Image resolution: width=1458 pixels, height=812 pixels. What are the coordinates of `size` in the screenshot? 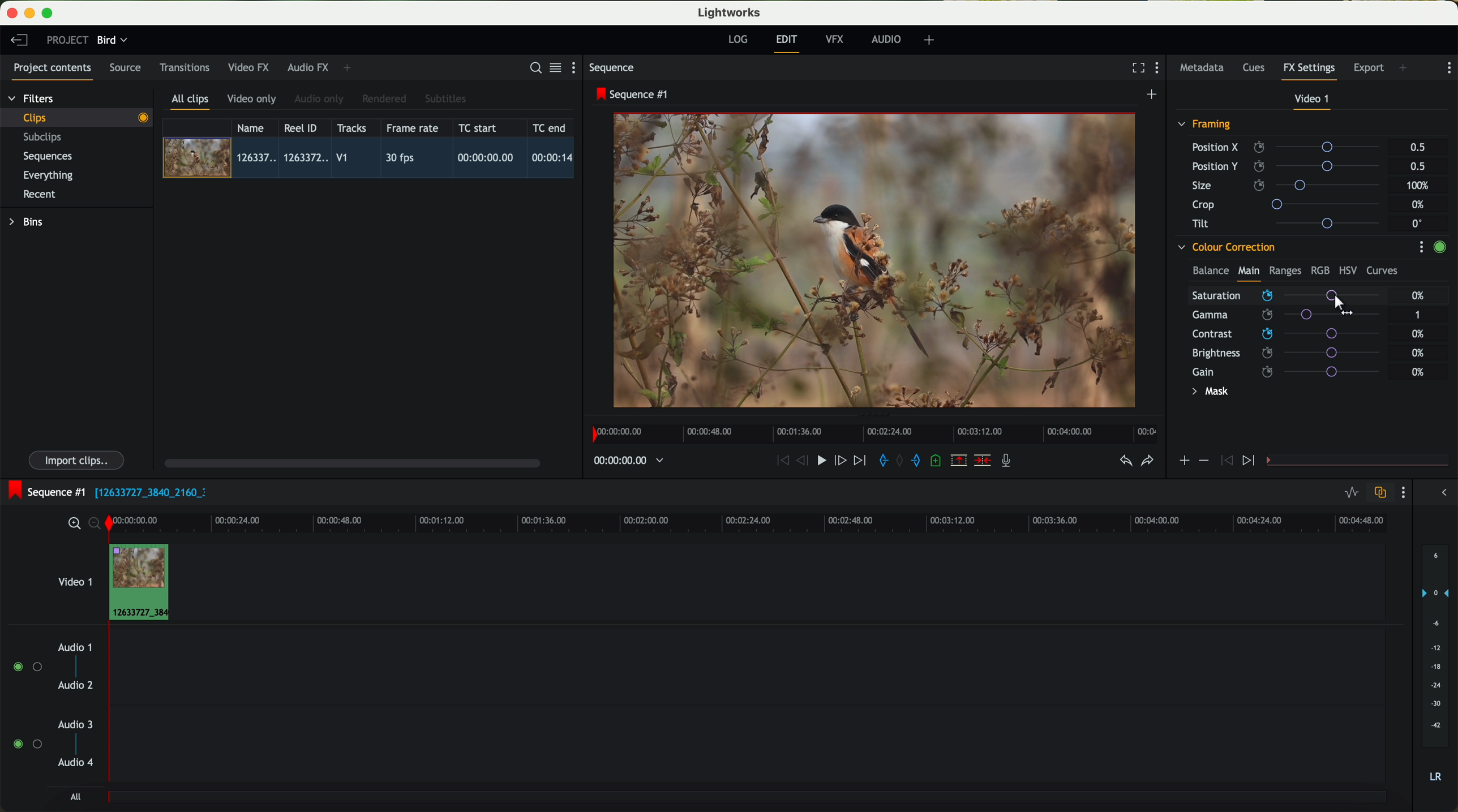 It's located at (1289, 186).